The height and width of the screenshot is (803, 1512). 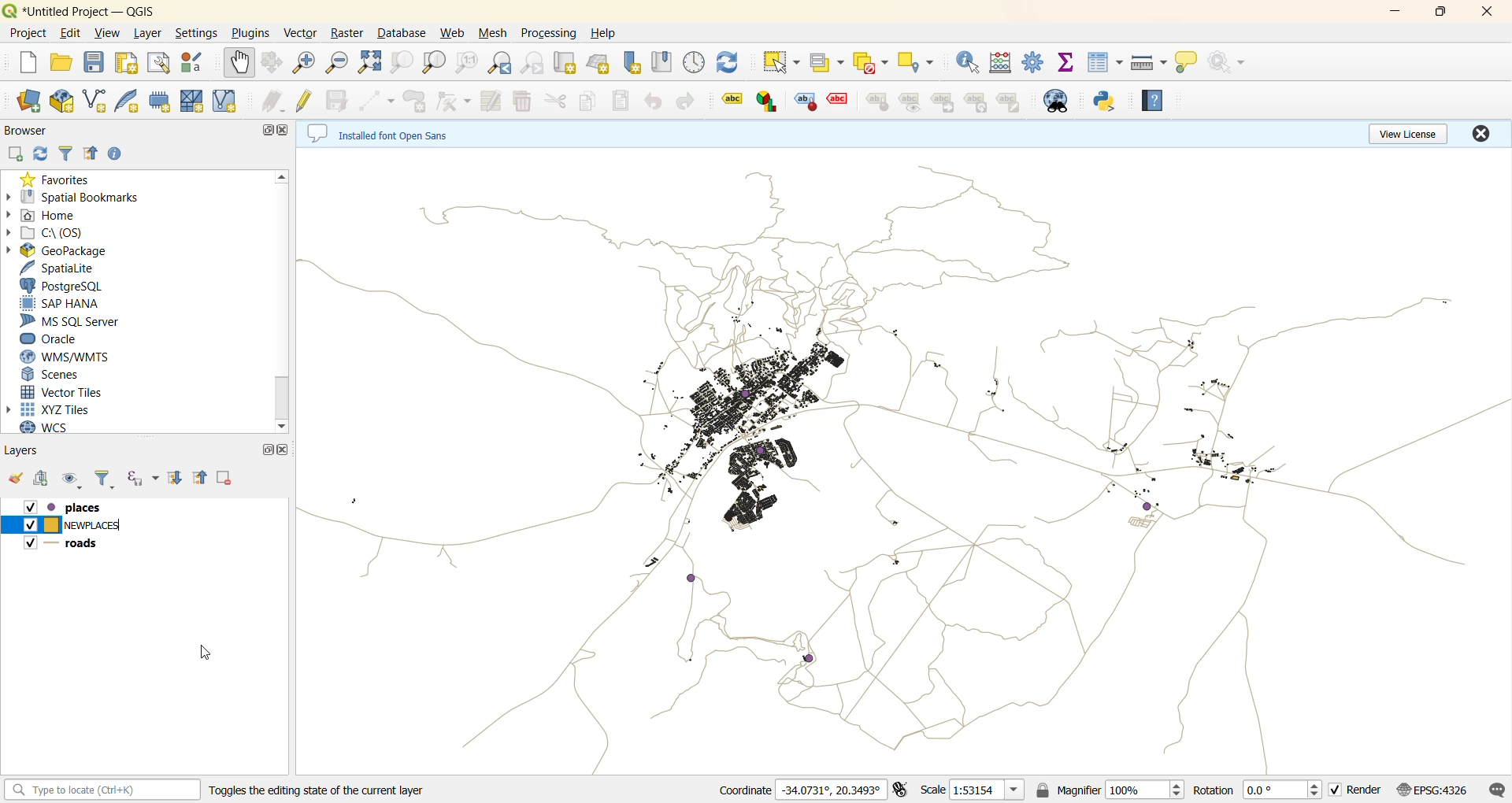 What do you see at coordinates (91, 153) in the screenshot?
I see `collapse all` at bounding box center [91, 153].